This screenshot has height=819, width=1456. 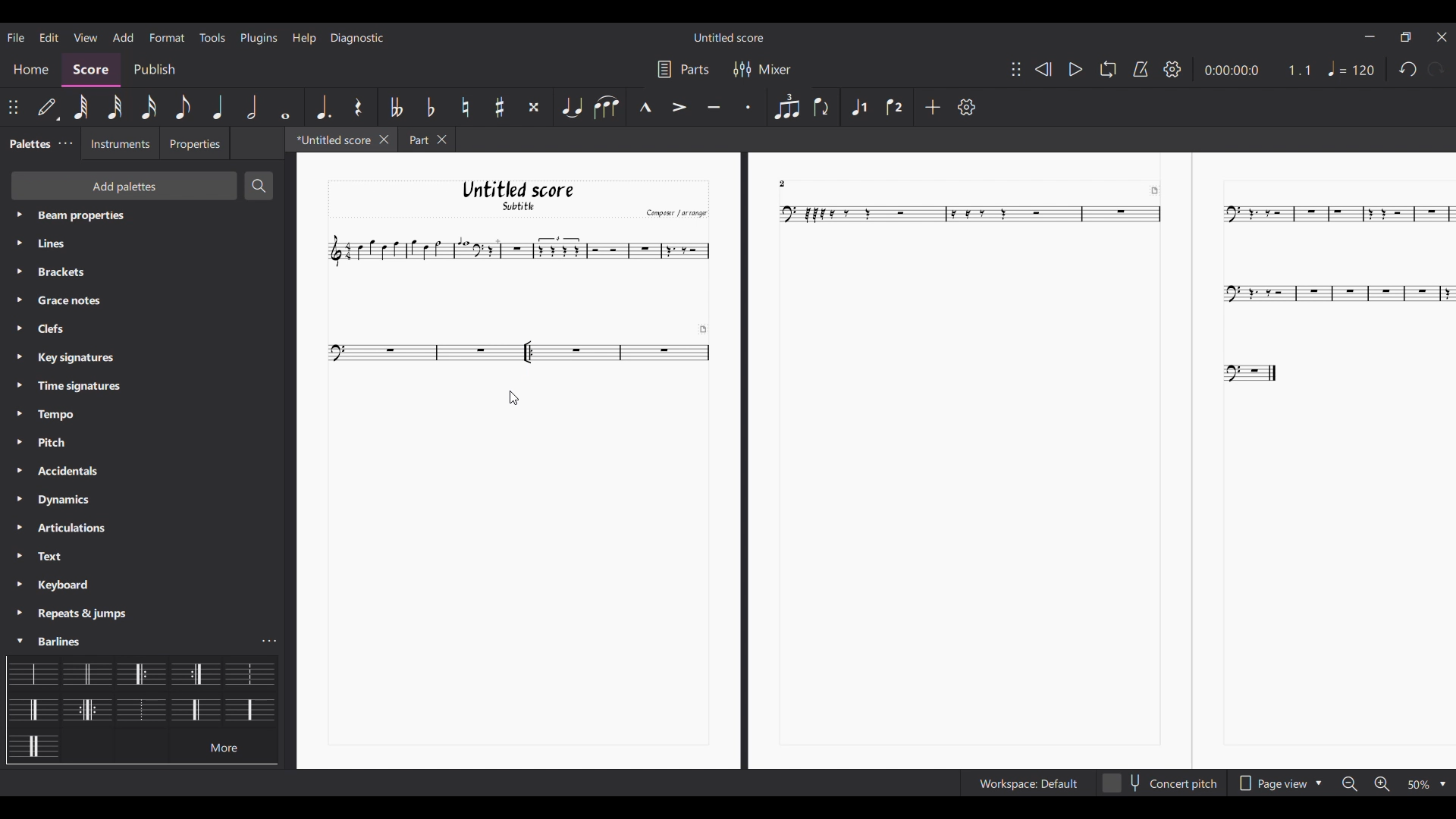 What do you see at coordinates (607, 106) in the screenshot?
I see `Slur` at bounding box center [607, 106].